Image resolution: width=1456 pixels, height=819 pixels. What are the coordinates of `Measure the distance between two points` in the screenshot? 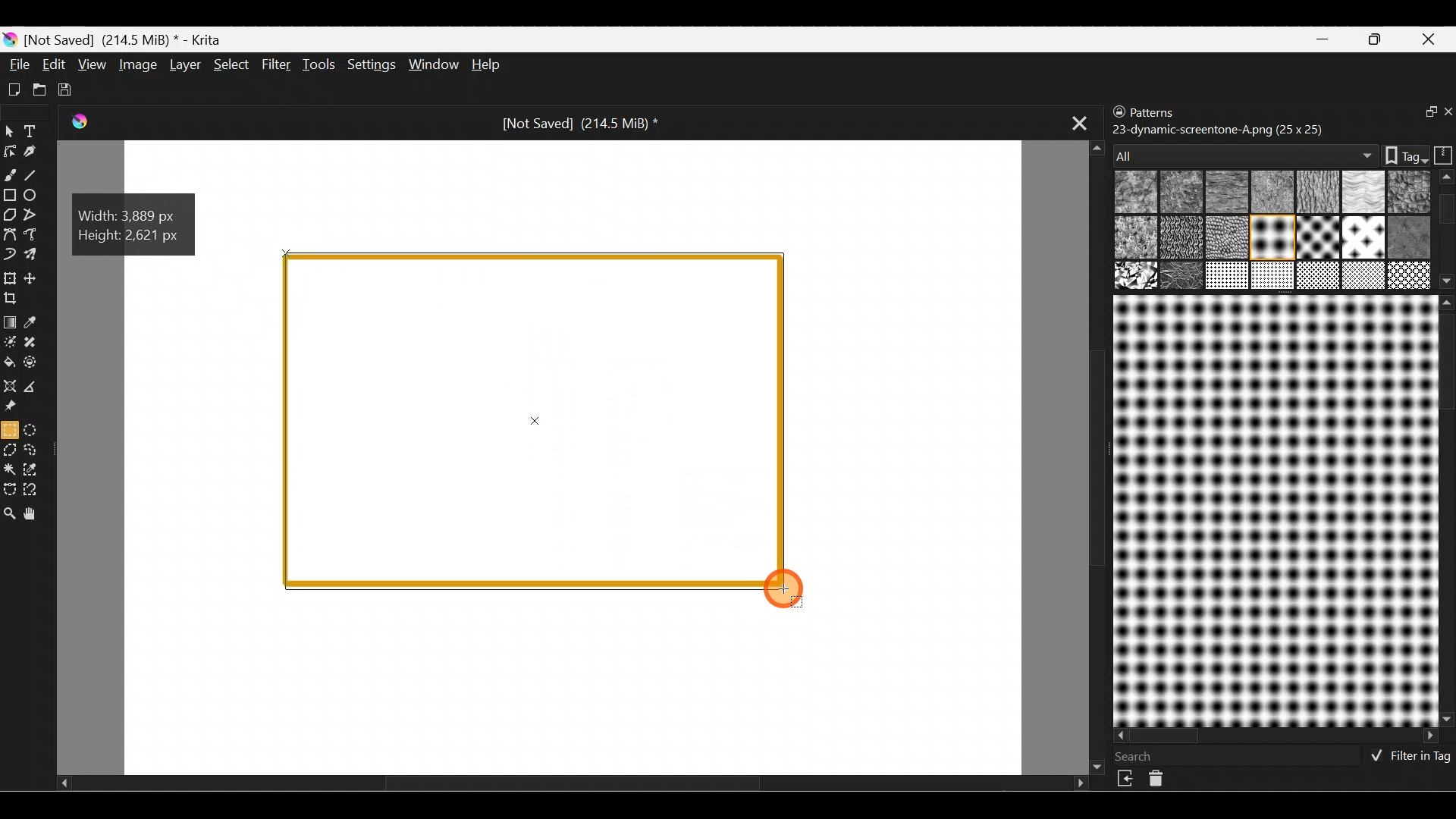 It's located at (37, 387).